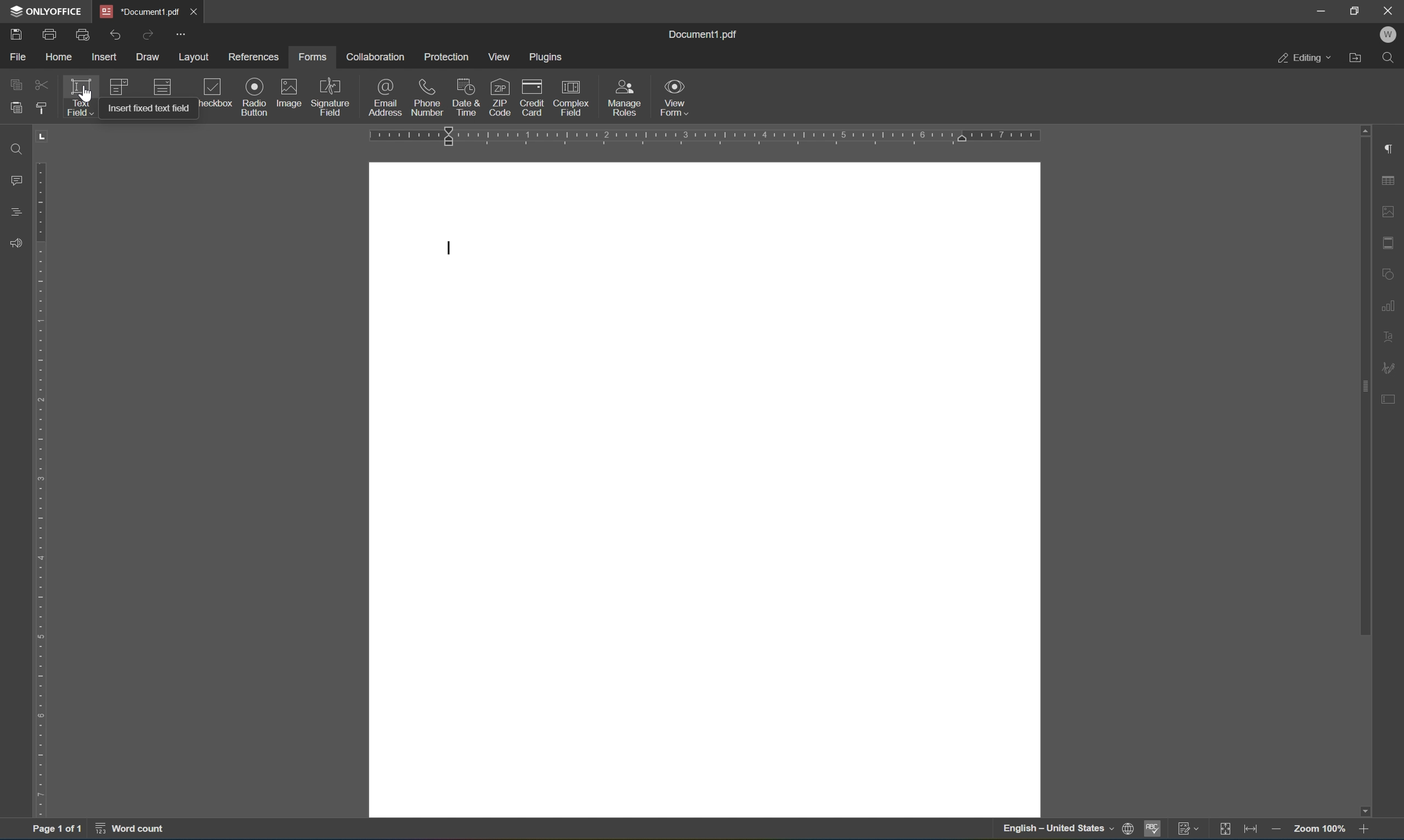  I want to click on header and footer settings, so click(1392, 242).